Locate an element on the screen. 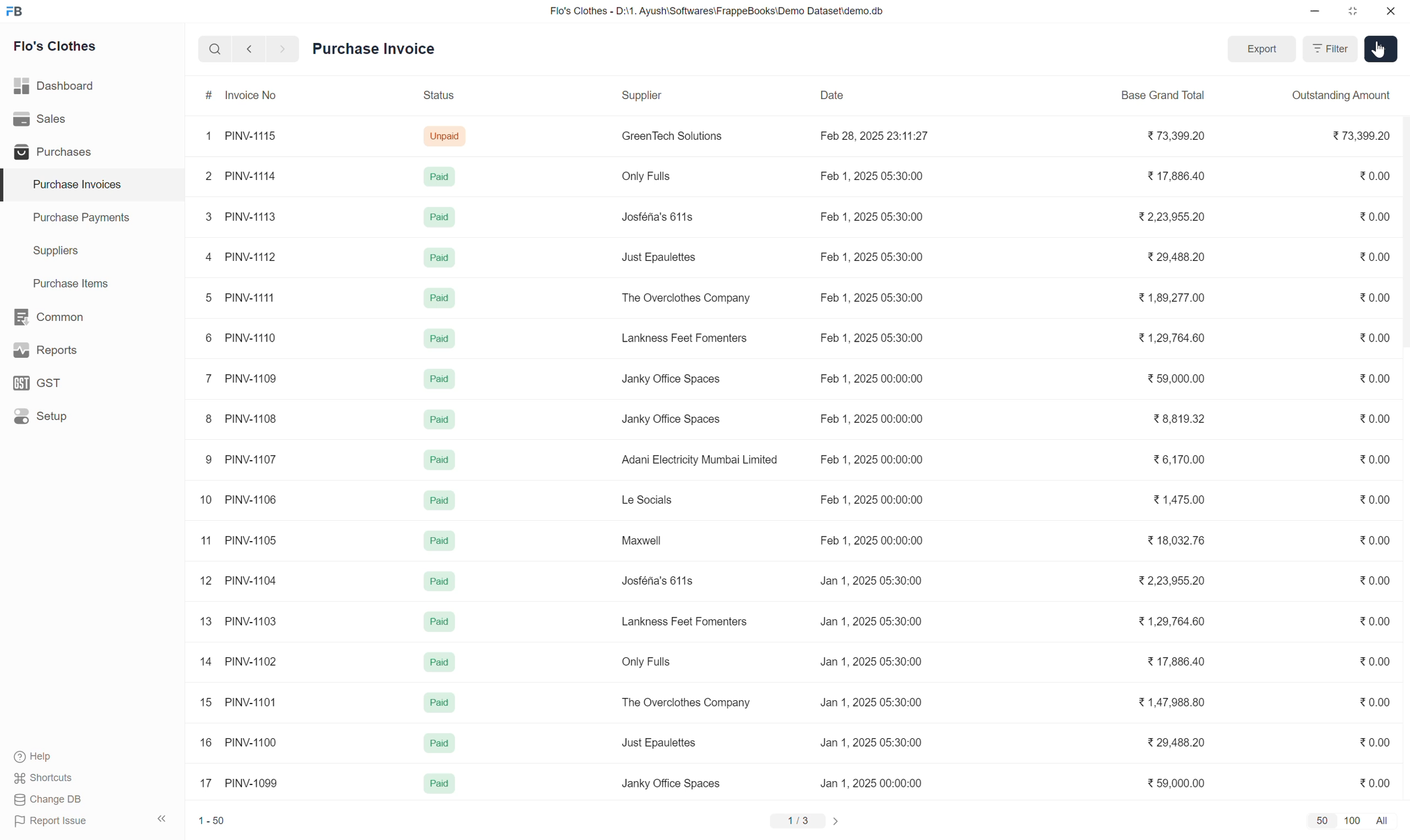 Image resolution: width=1410 pixels, height=840 pixels. Outstanding amount is located at coordinates (1342, 96).